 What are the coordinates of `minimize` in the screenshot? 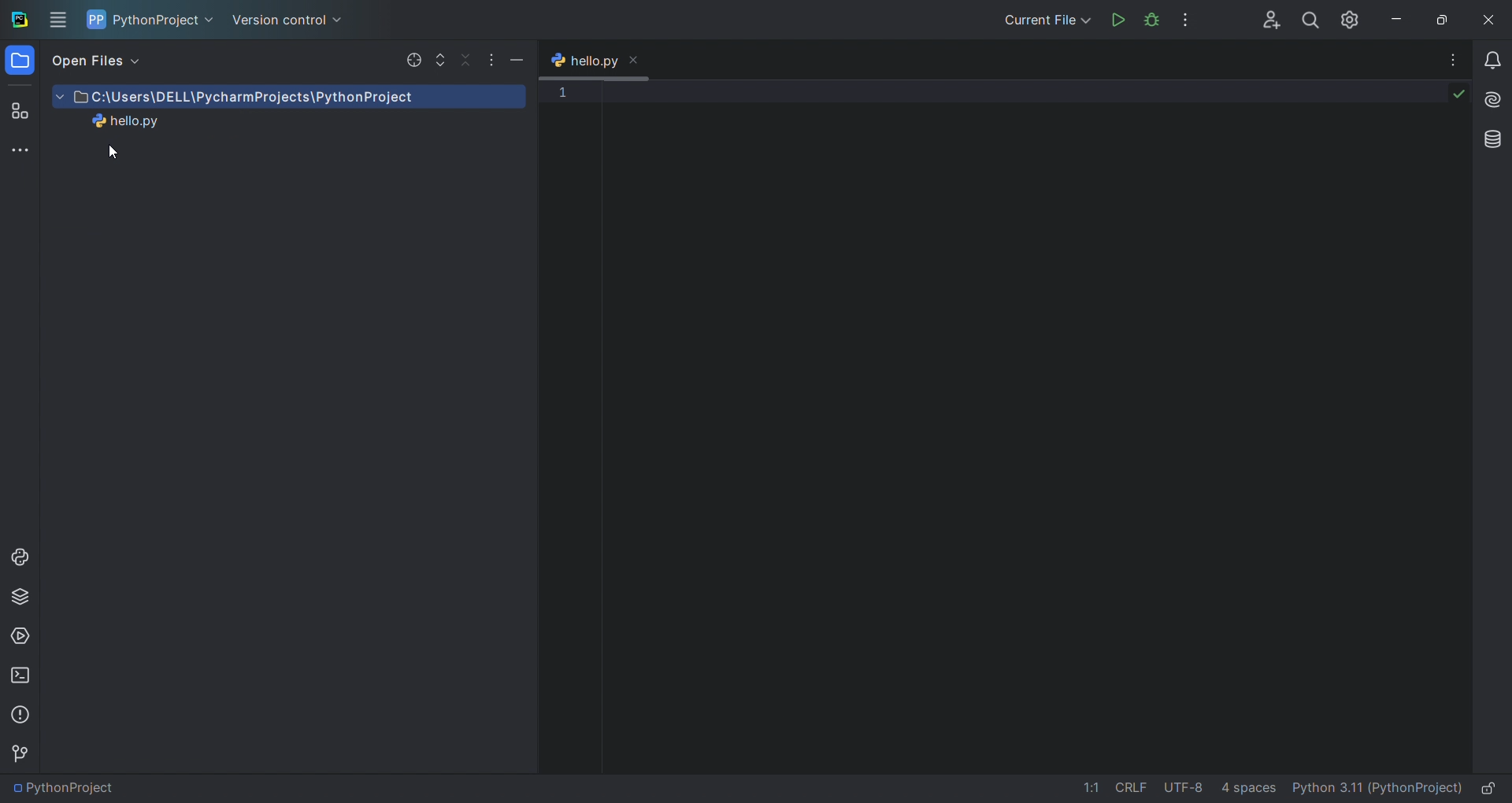 It's located at (1393, 18).